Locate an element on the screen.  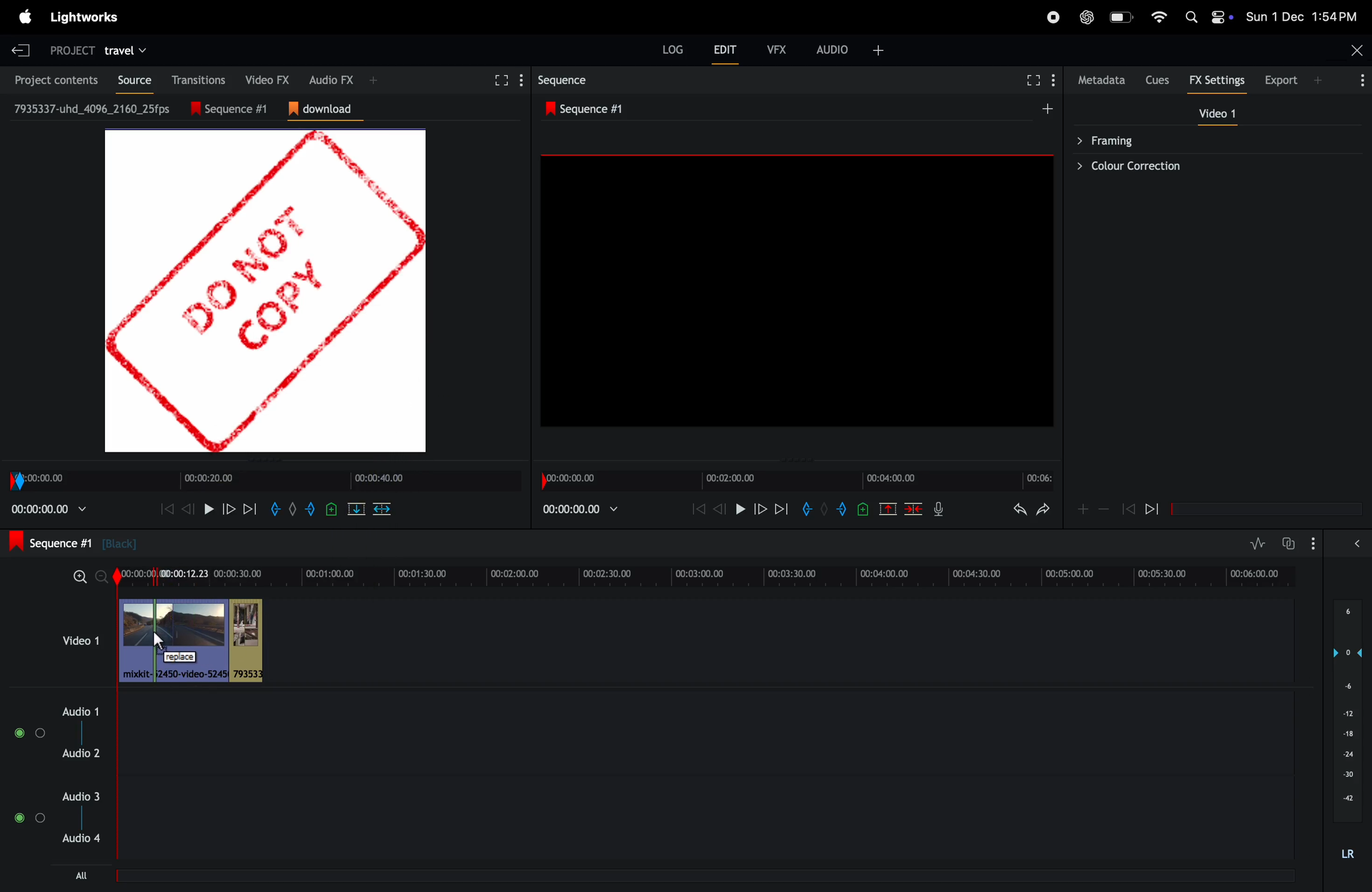
time frame is located at coordinates (797, 481).